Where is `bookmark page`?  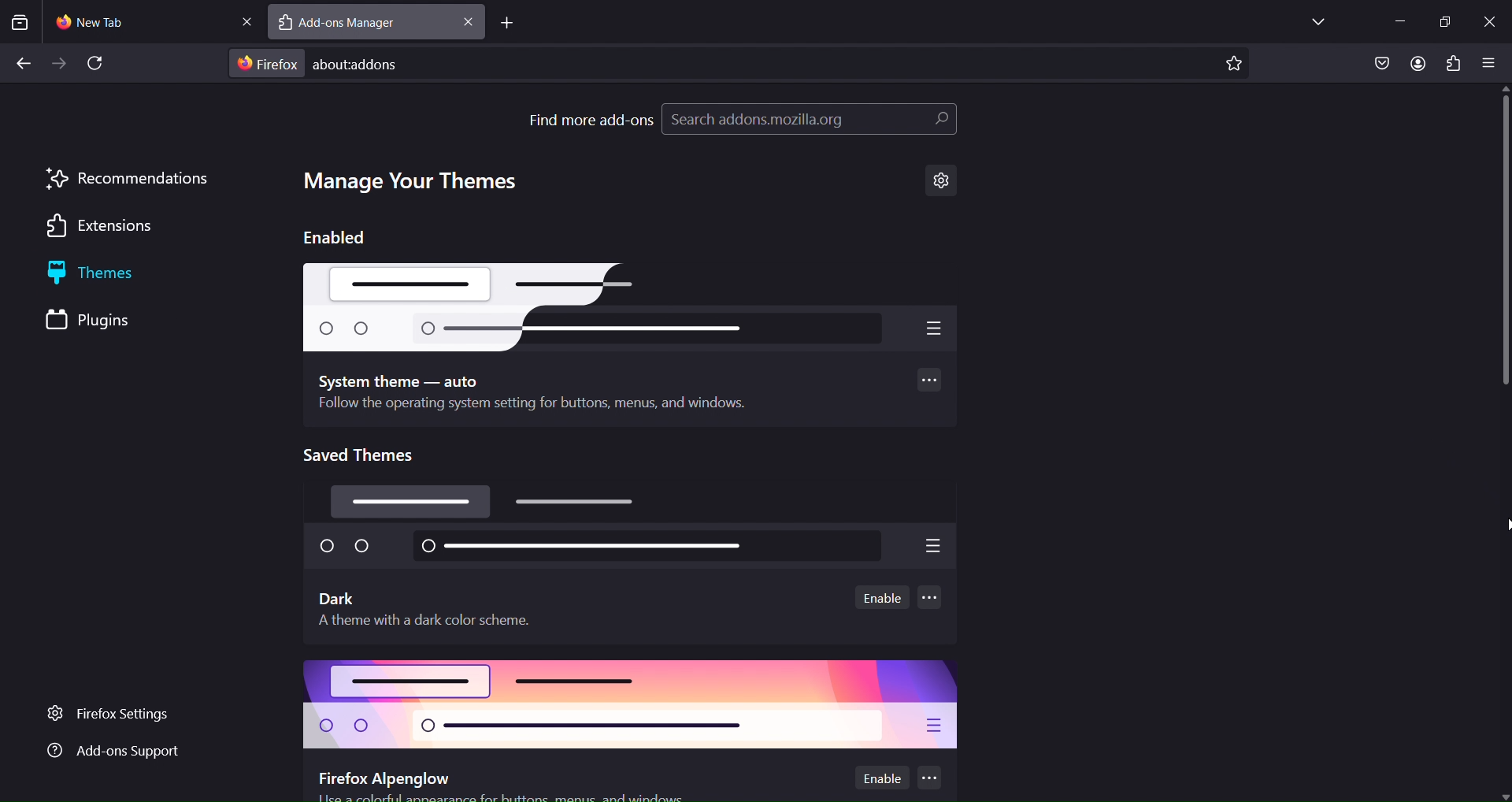
bookmark page is located at coordinates (1234, 64).